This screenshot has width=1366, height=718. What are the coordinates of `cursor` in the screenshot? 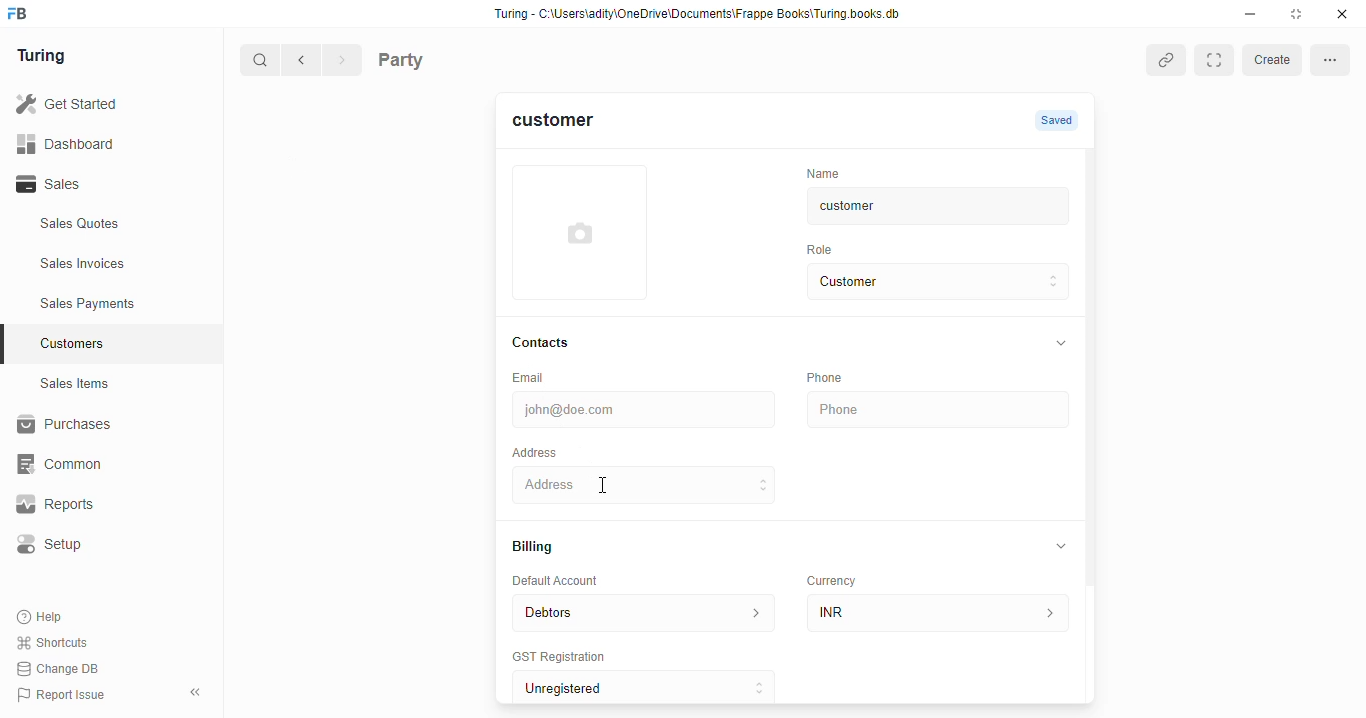 It's located at (606, 488).